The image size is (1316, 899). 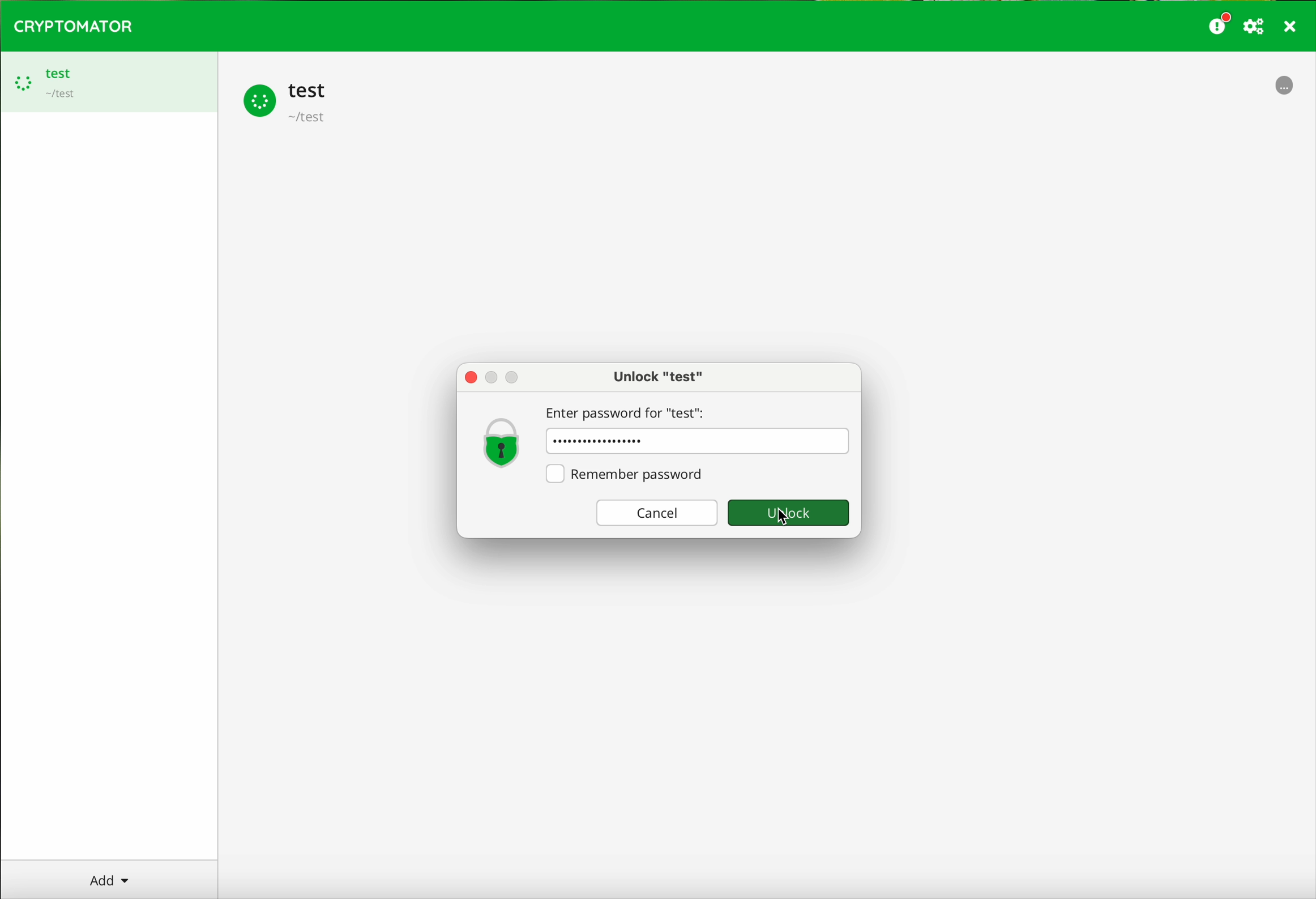 What do you see at coordinates (789, 514) in the screenshot?
I see ` unlock` at bounding box center [789, 514].